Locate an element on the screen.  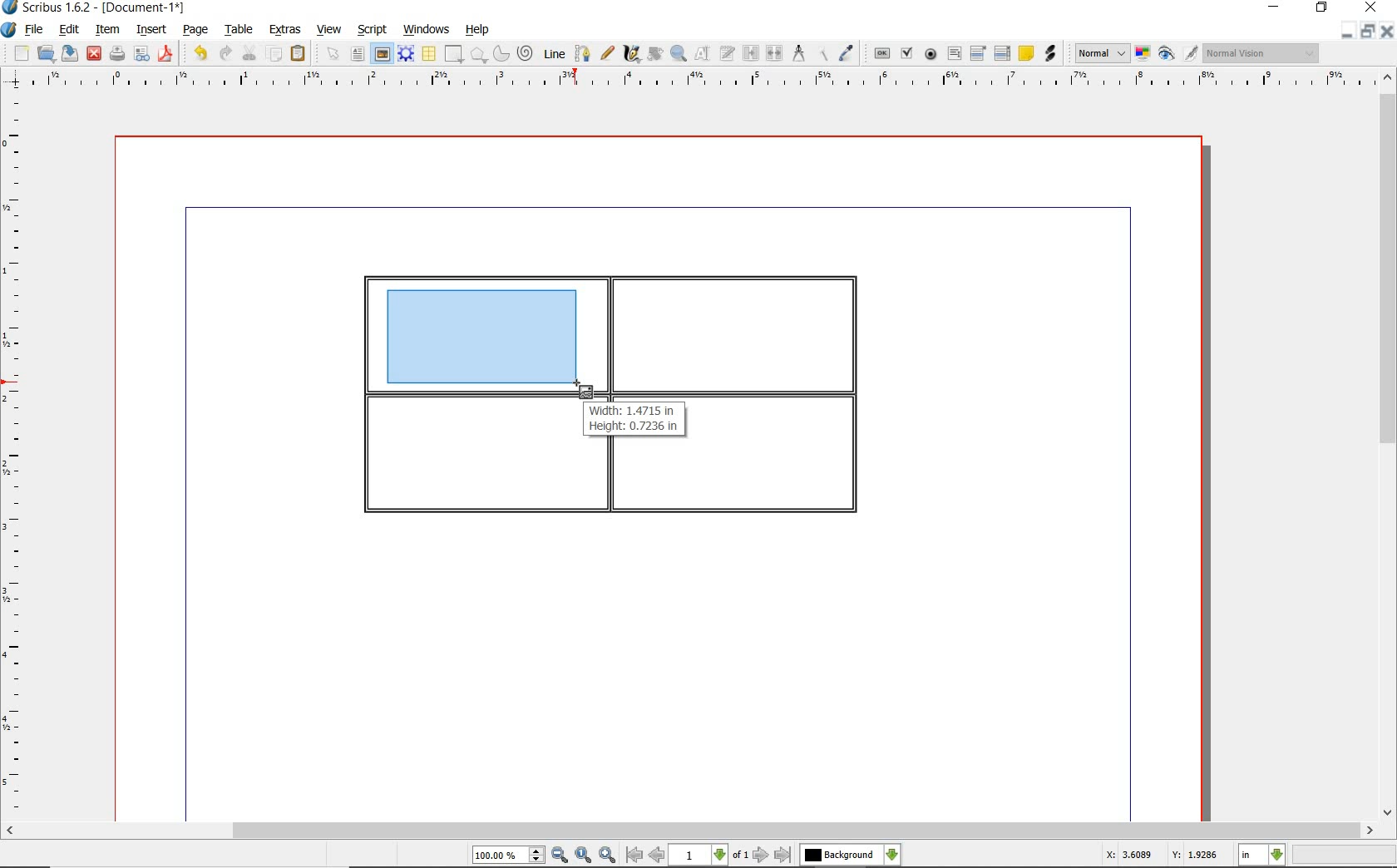
edit is located at coordinates (67, 30).